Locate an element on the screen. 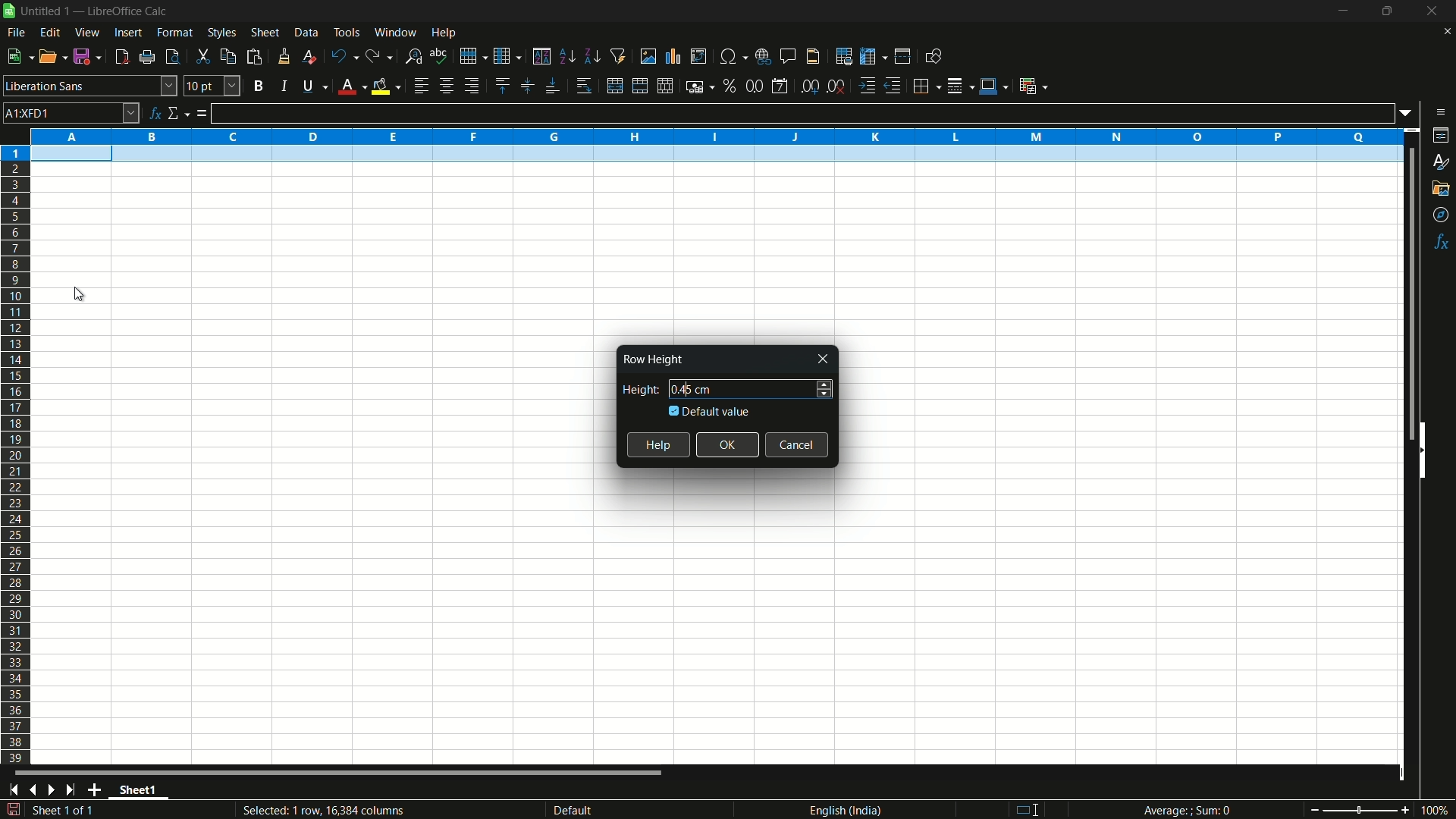 The width and height of the screenshot is (1456, 819). underline is located at coordinates (312, 87).